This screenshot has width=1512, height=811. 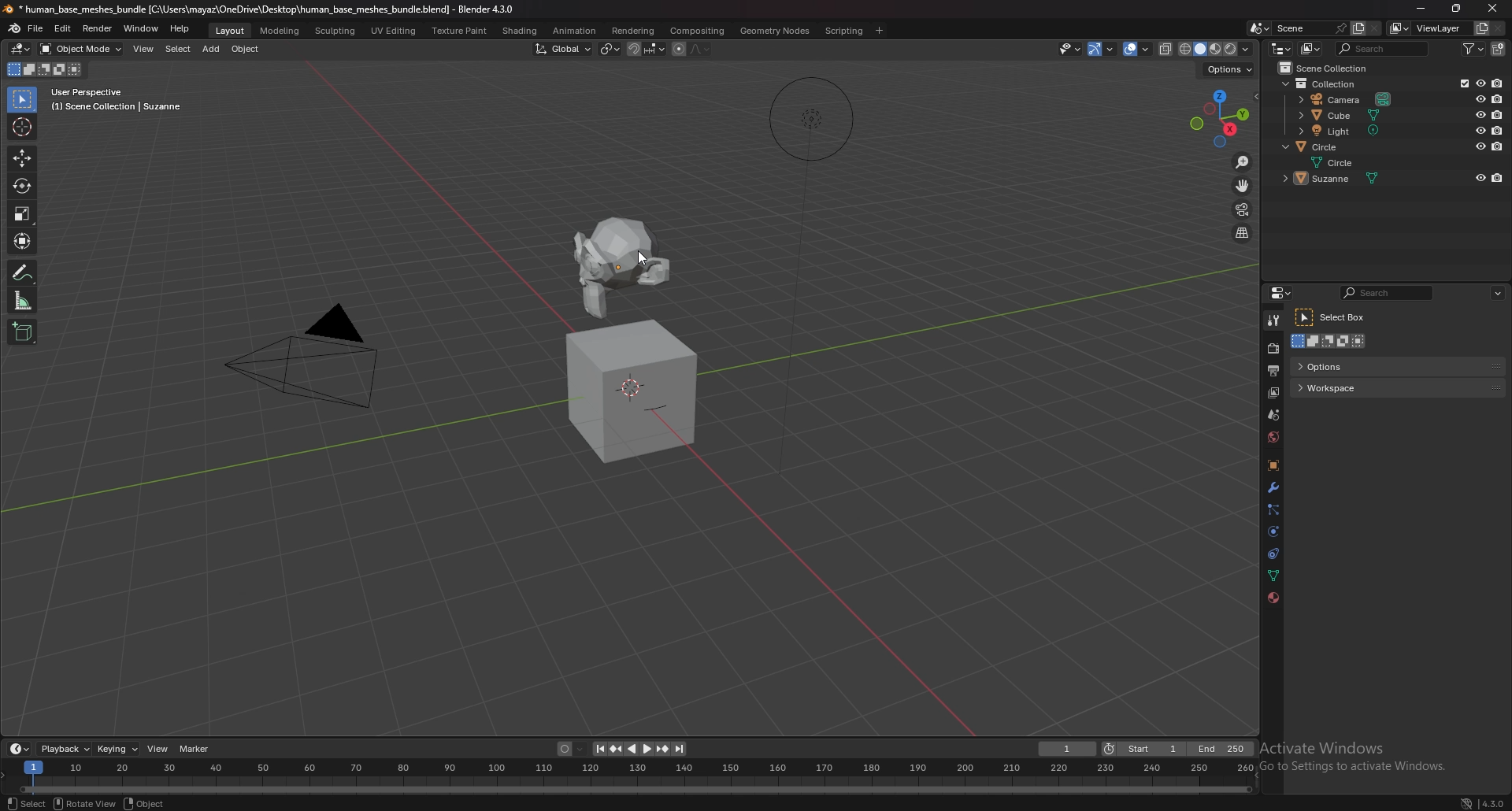 I want to click on show gizmo, so click(x=1102, y=49).